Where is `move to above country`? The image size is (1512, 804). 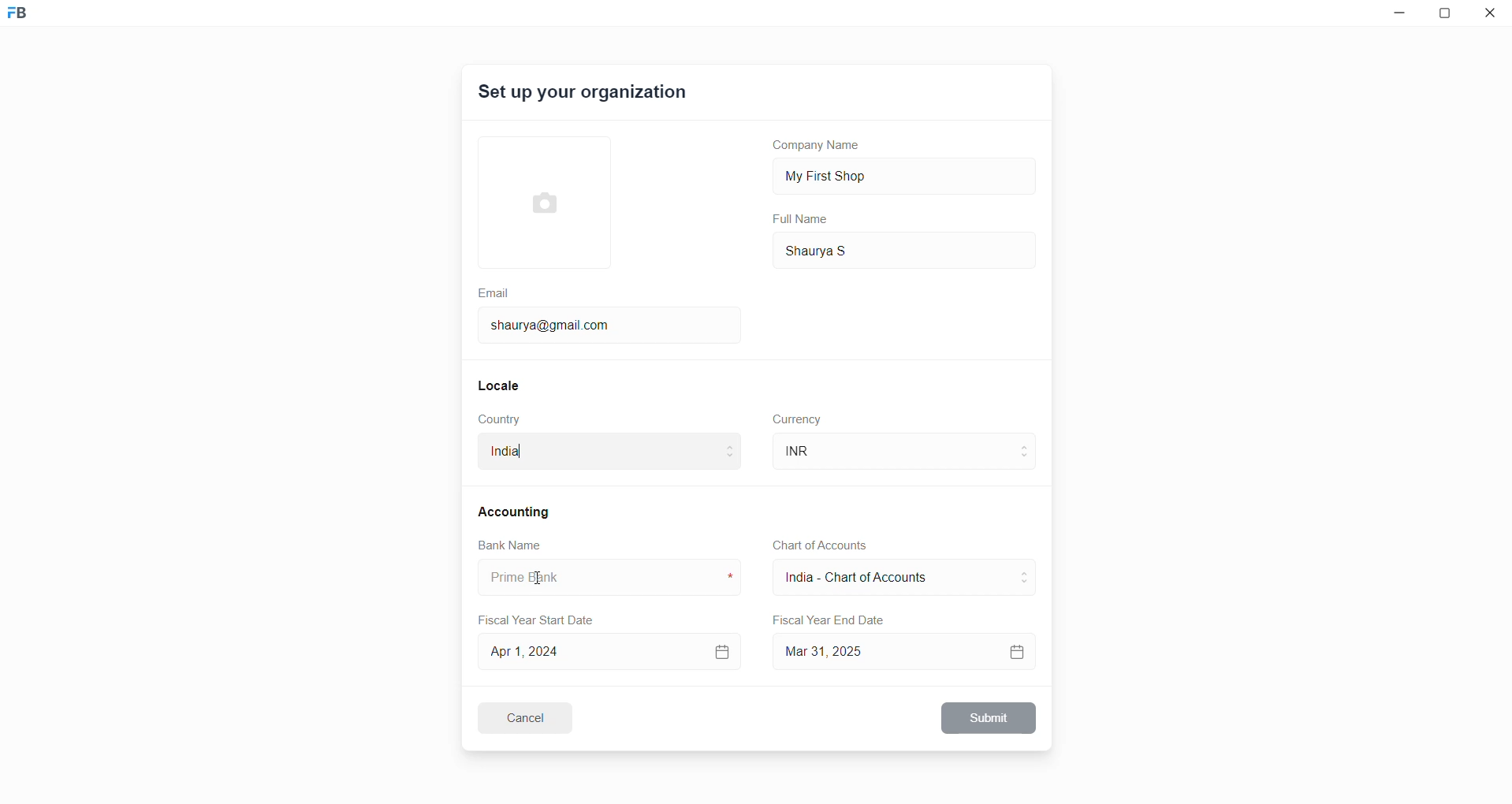 move to above country is located at coordinates (733, 445).